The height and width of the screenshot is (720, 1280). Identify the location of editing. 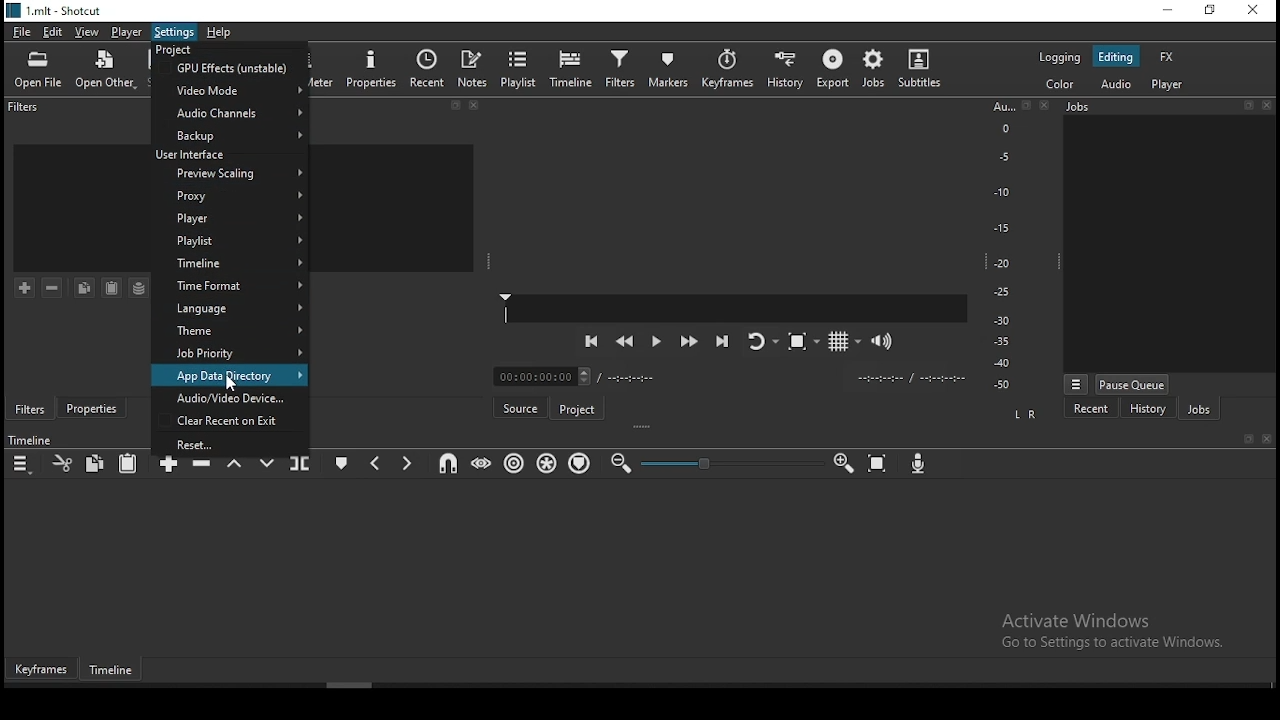
(1119, 57).